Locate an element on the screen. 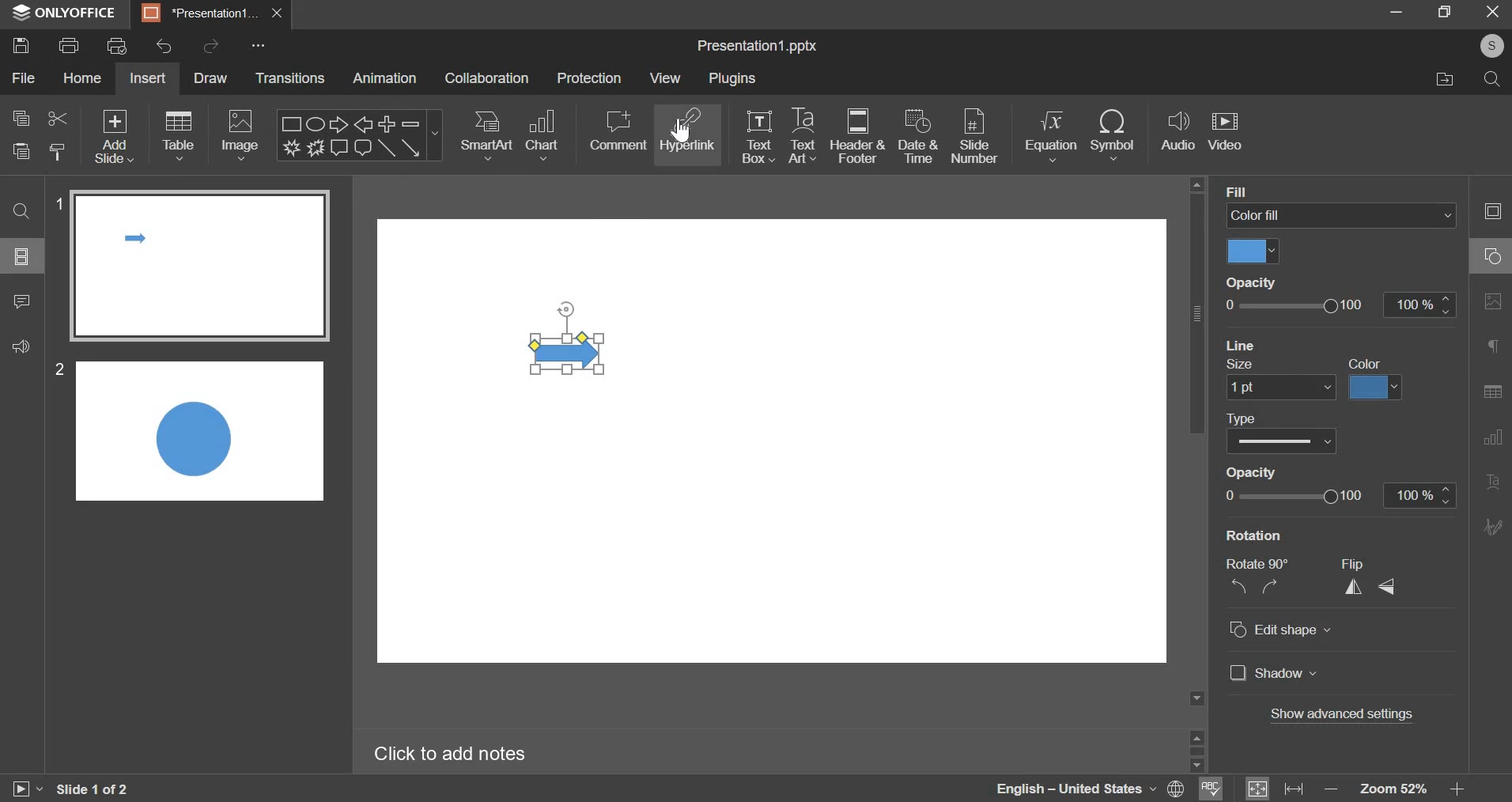 This screenshot has height=802, width=1512. undo is located at coordinates (168, 44).